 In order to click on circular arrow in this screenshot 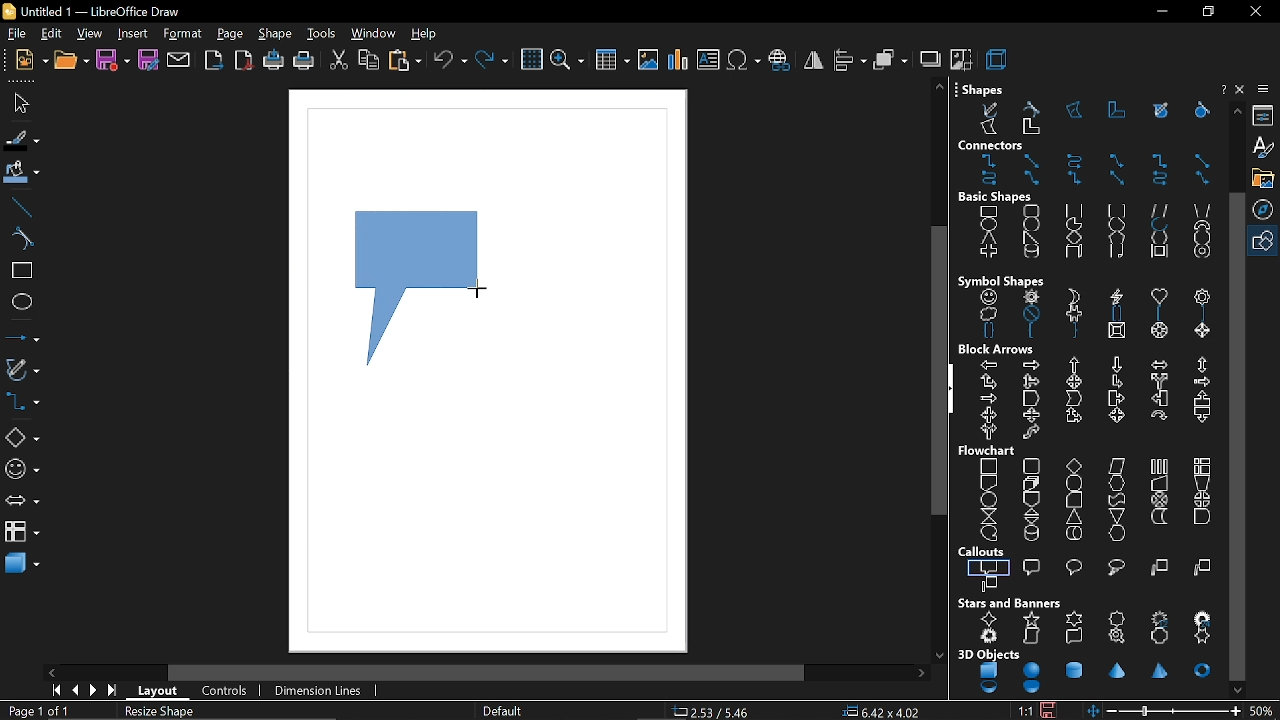, I will do `click(1158, 415)`.